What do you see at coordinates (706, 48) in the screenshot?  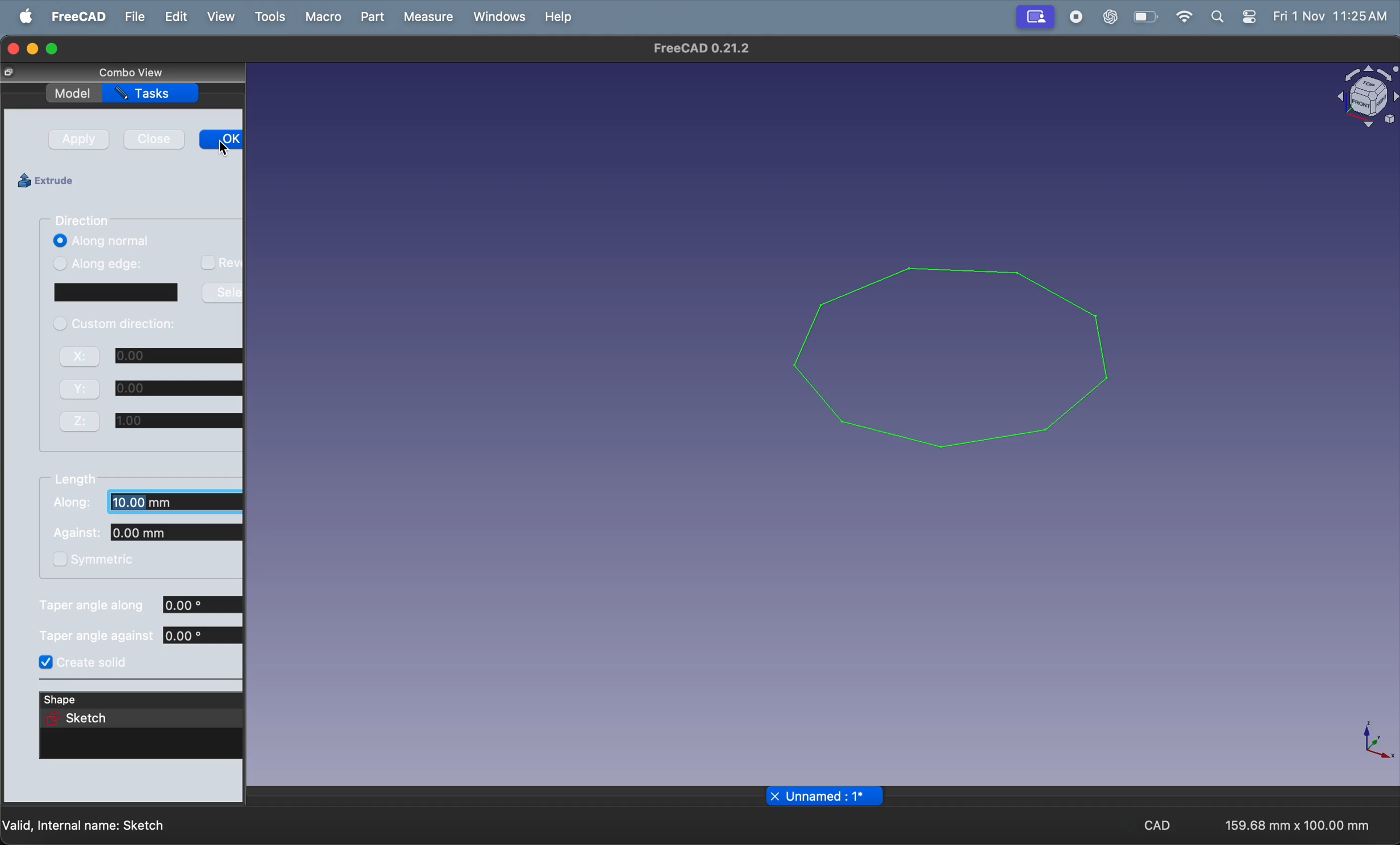 I see `FreeCAD 0.21.2` at bounding box center [706, 48].